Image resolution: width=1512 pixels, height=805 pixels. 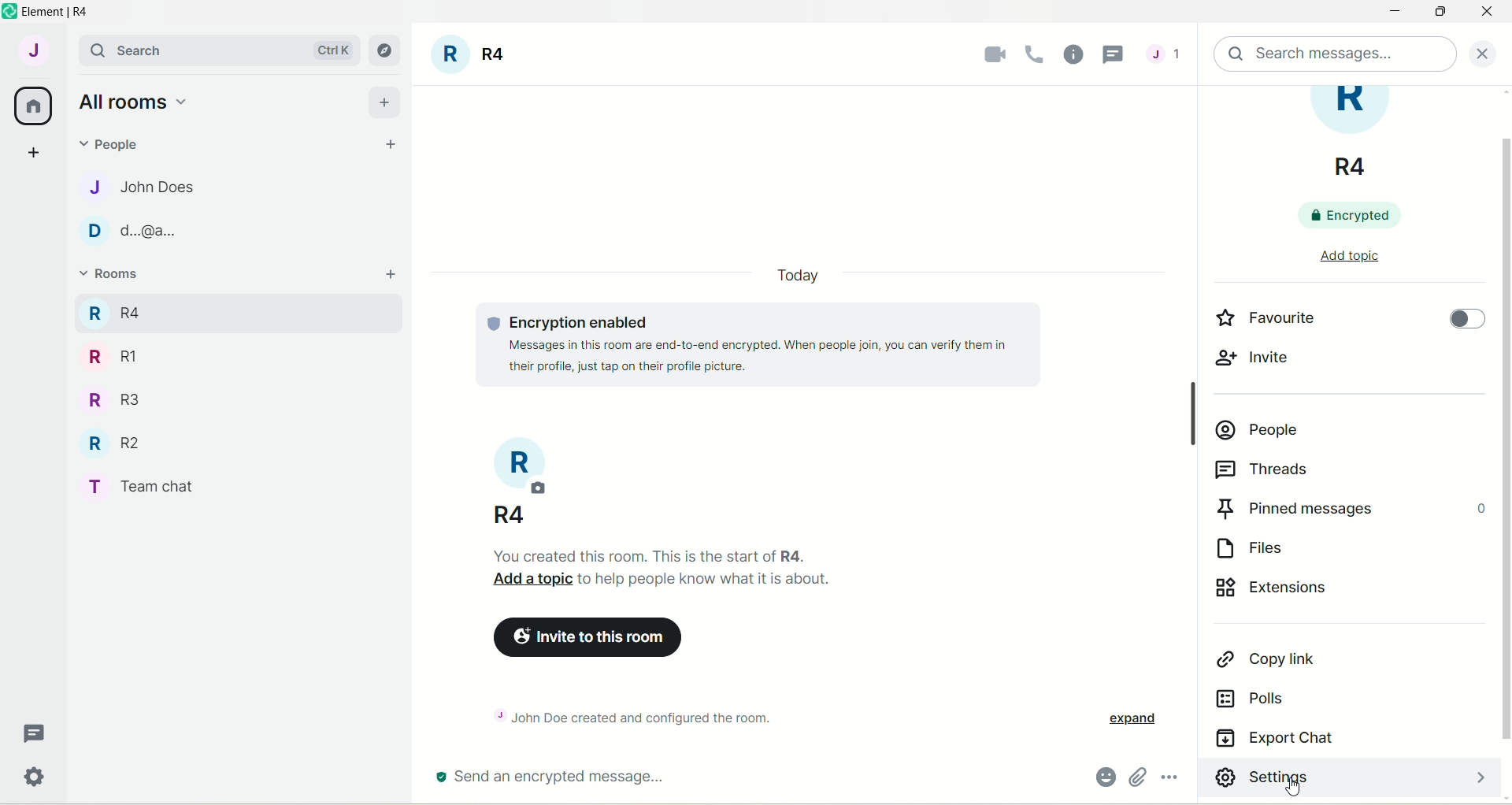 What do you see at coordinates (1359, 134) in the screenshot?
I see `room title` at bounding box center [1359, 134].